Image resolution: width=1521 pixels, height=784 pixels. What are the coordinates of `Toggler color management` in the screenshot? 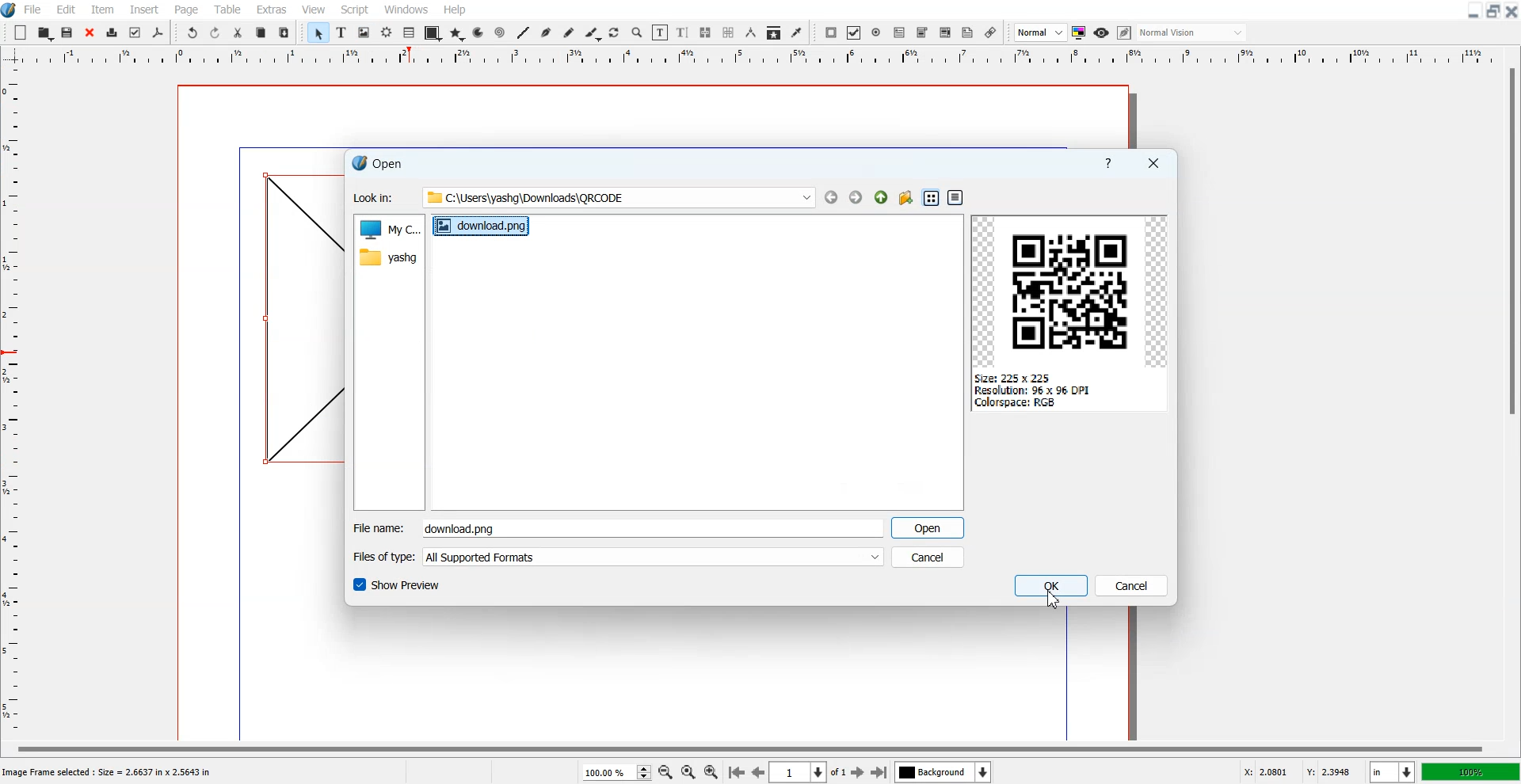 It's located at (1079, 32).